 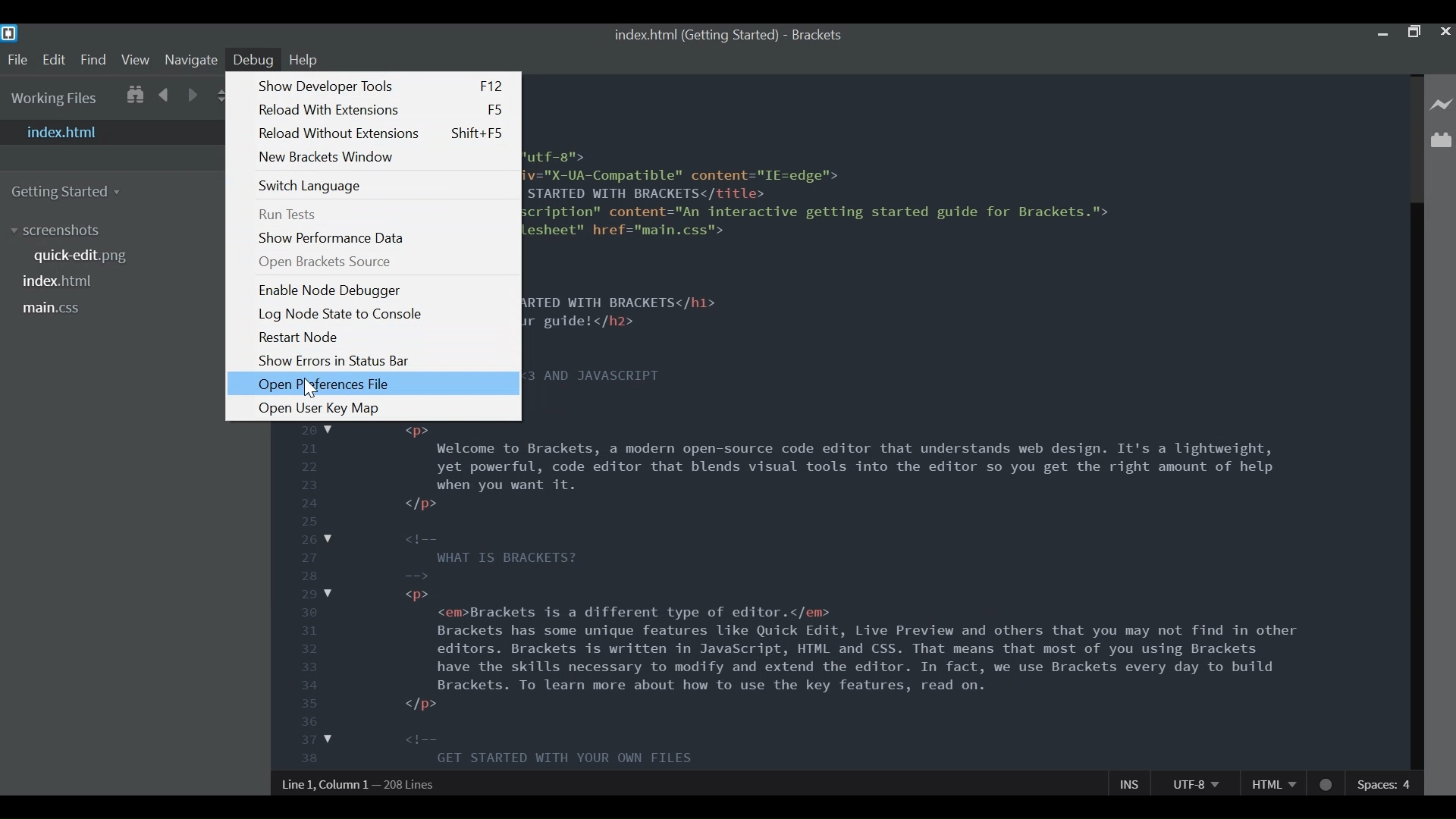 I want to click on <!DOCTYPE html>
<html>
<head>
<meta charset="utf-8">
<meta http-equiv="X-UA-Compatible" content="IE=edge">
<title>GETTING STARTED WITH BRACKETS</title>
<meta name="description" content="An interactive getting started guide for Brackets.">
<link rel="stylesheet" href="main.css">
</head>
<body>
<h1>GETTING STARTED WITH BRACKETS</h1>
<h2>This is your guide!</h2>
<1--
MADE WITH <3 AND JAVASCRIPT
<p>
Welcome to Brackets, a modern open-source code editor that understands web design. It's a lightweight,
yet powerful, code editor that blends visual tools into the editor so you get the right amount of help
when you want it.
</p>
pri
WHAT IS BRACKETS?
<p>
<em>Brackets is a different type of editor.</em>
Brackets has some unique features like Quick Edit, Live Preview and others that you may not find in other
editors. Brackets is written in JavaScript, HTML and CSS. That means that most of you using Brackets
have the skills necessary to modify and extend the editor. In fact, we use Brackets every day to build
Brackets. To learn more about how to use the key features, read on.
</p>
ee
GET STARTED WITH YOUR OWN FILES, so click(x=944, y=419).